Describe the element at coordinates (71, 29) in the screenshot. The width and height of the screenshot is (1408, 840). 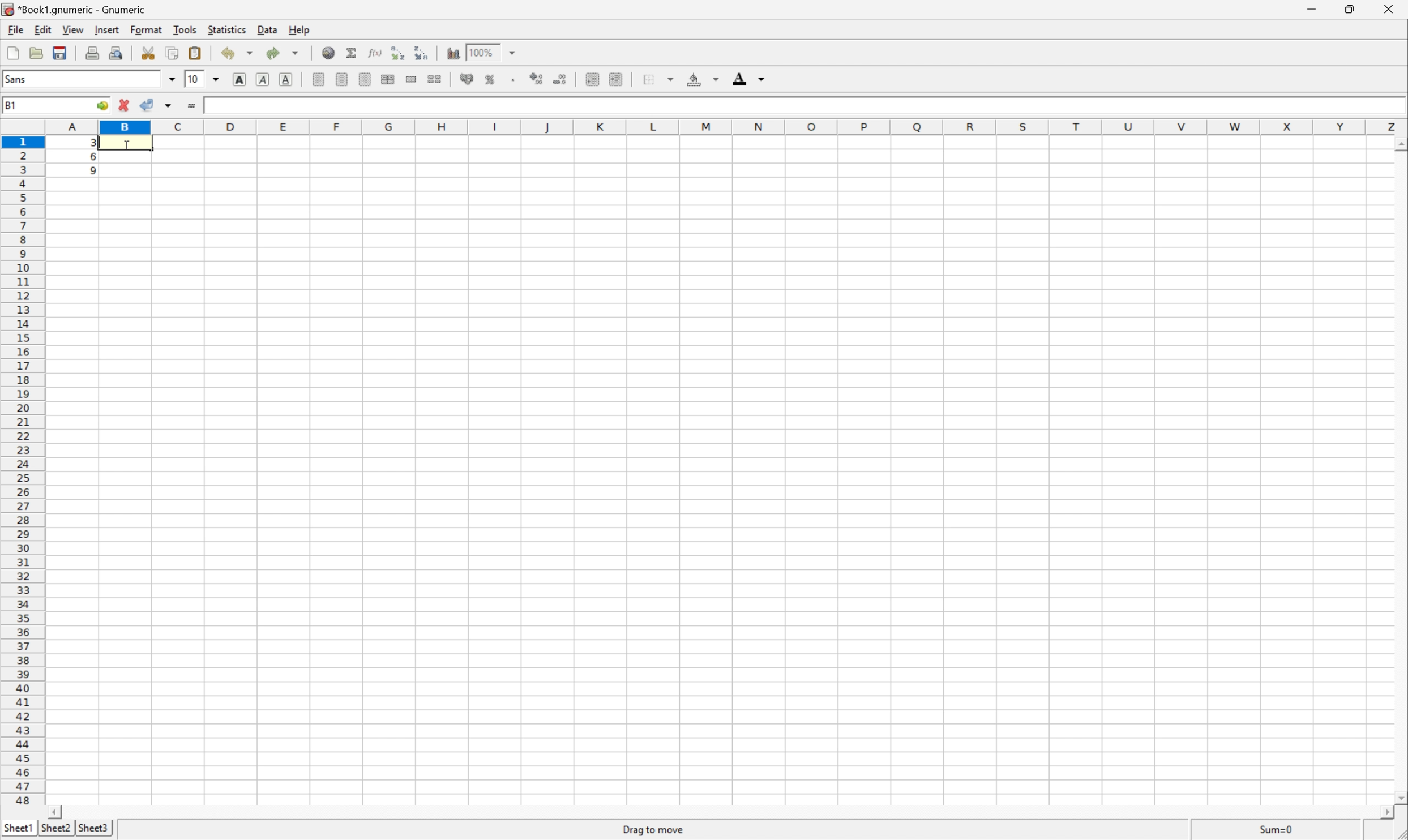
I see `View` at that location.